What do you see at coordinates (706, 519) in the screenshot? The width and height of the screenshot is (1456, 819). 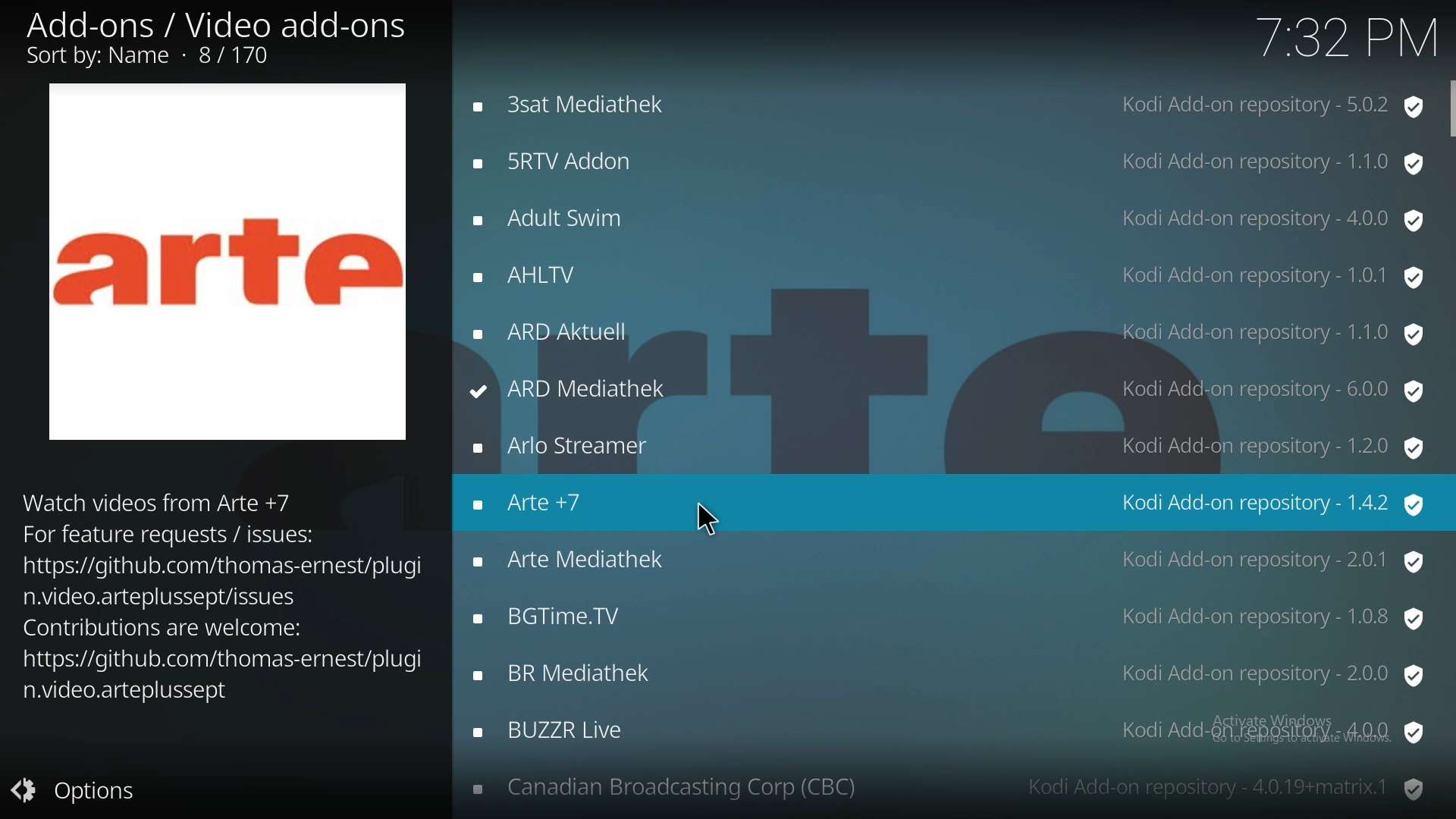 I see `cursor` at bounding box center [706, 519].